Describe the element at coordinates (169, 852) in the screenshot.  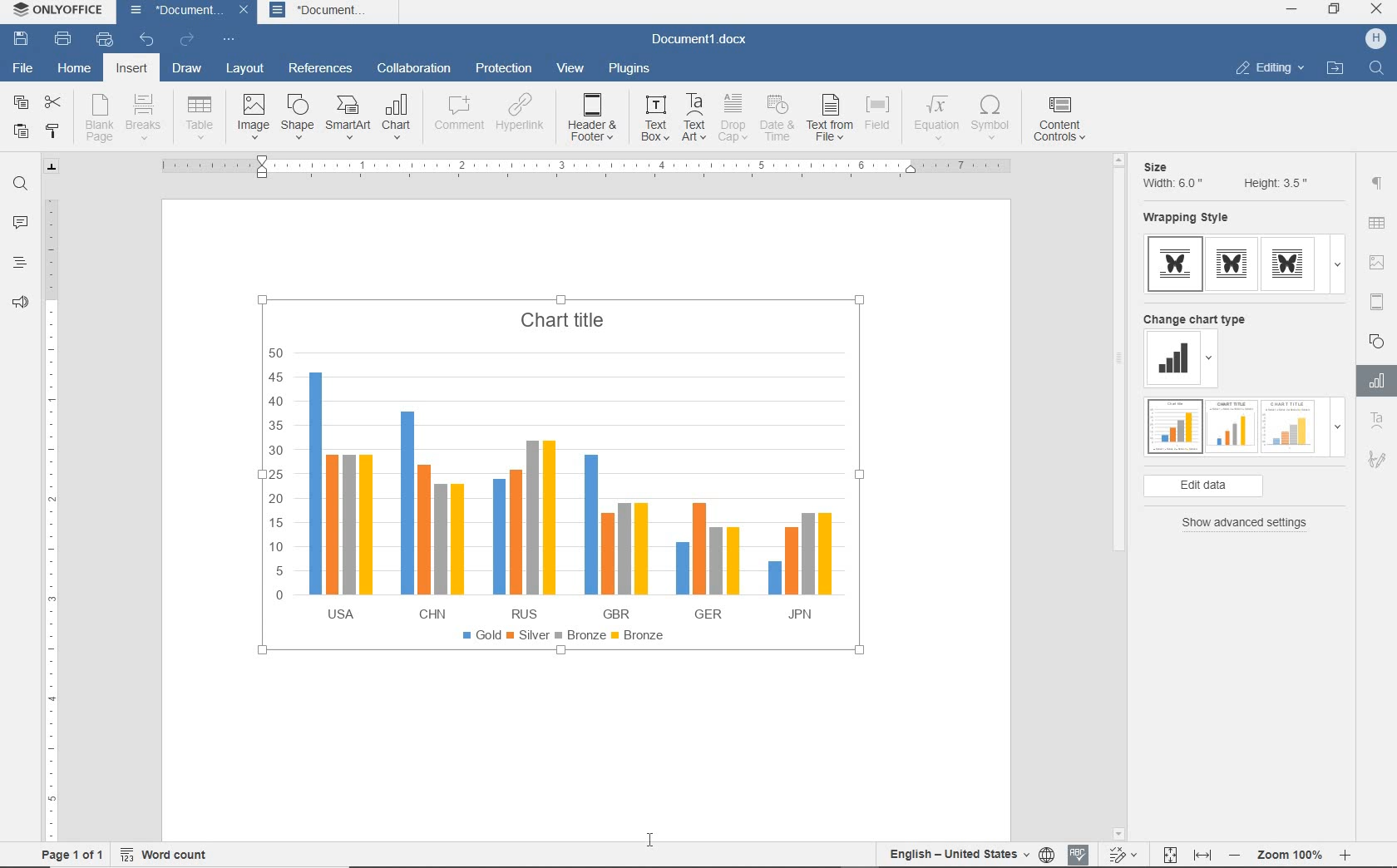
I see `word count` at that location.